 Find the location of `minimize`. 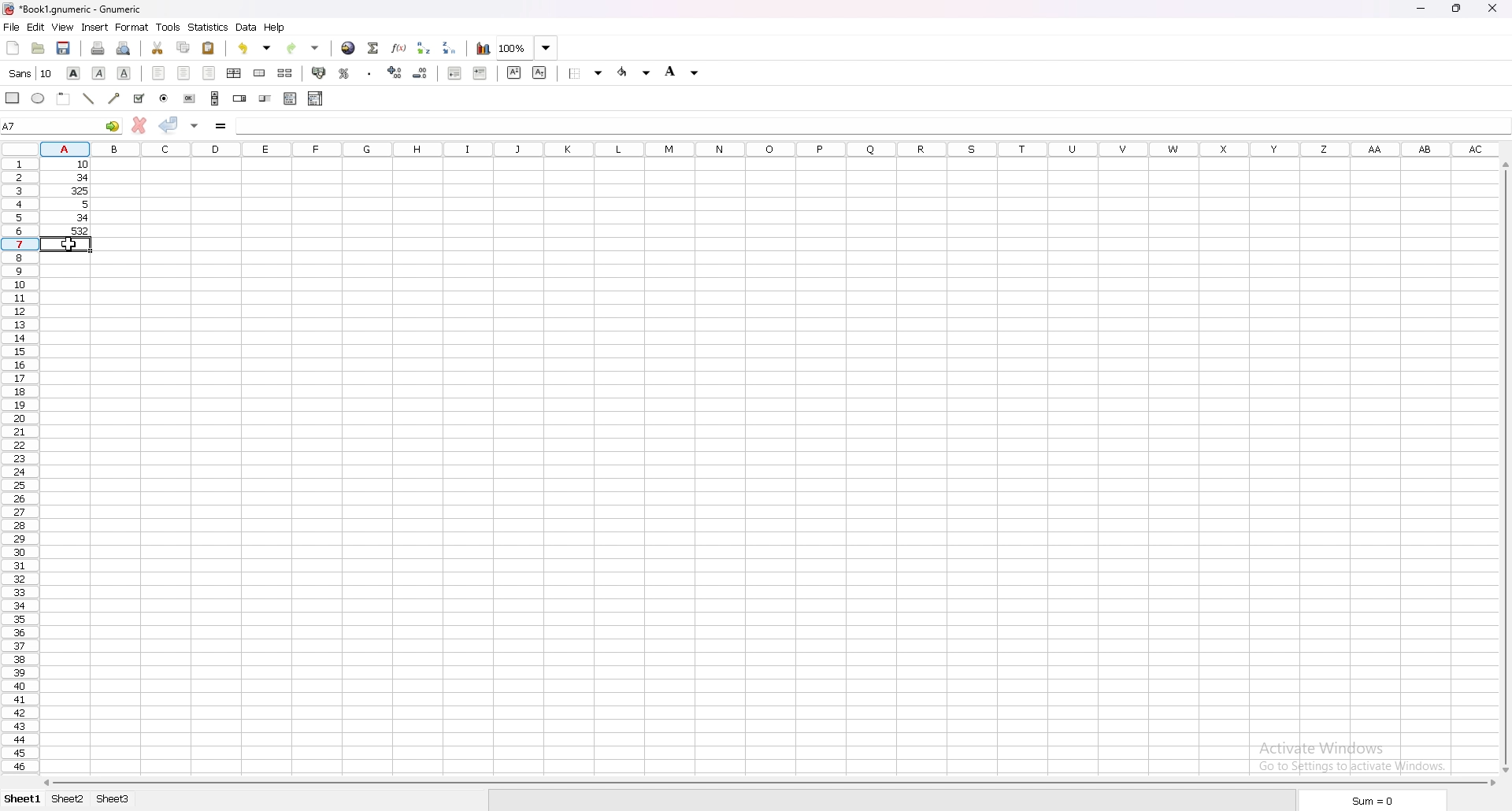

minimize is located at coordinates (1419, 9).